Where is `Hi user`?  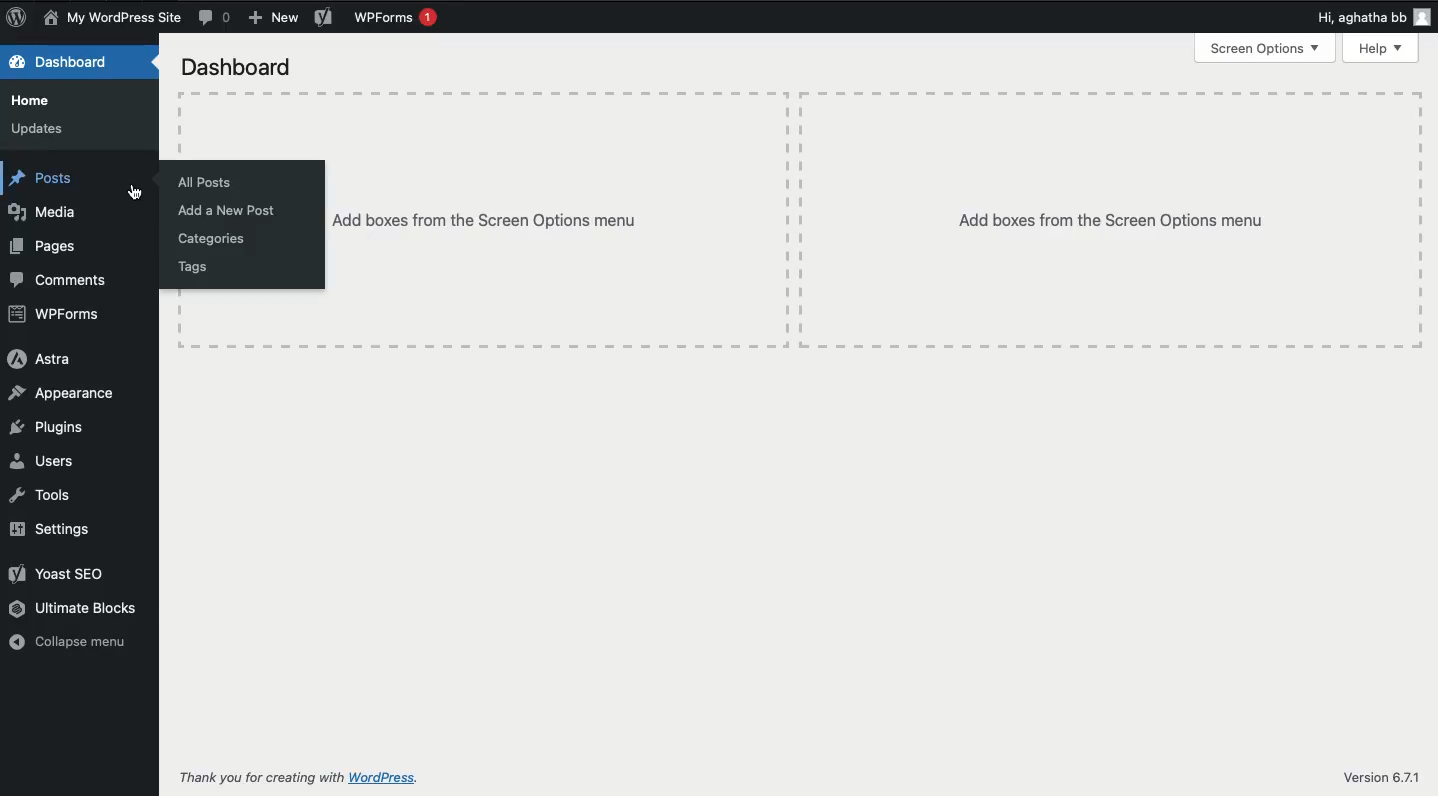
Hi user is located at coordinates (1374, 17).